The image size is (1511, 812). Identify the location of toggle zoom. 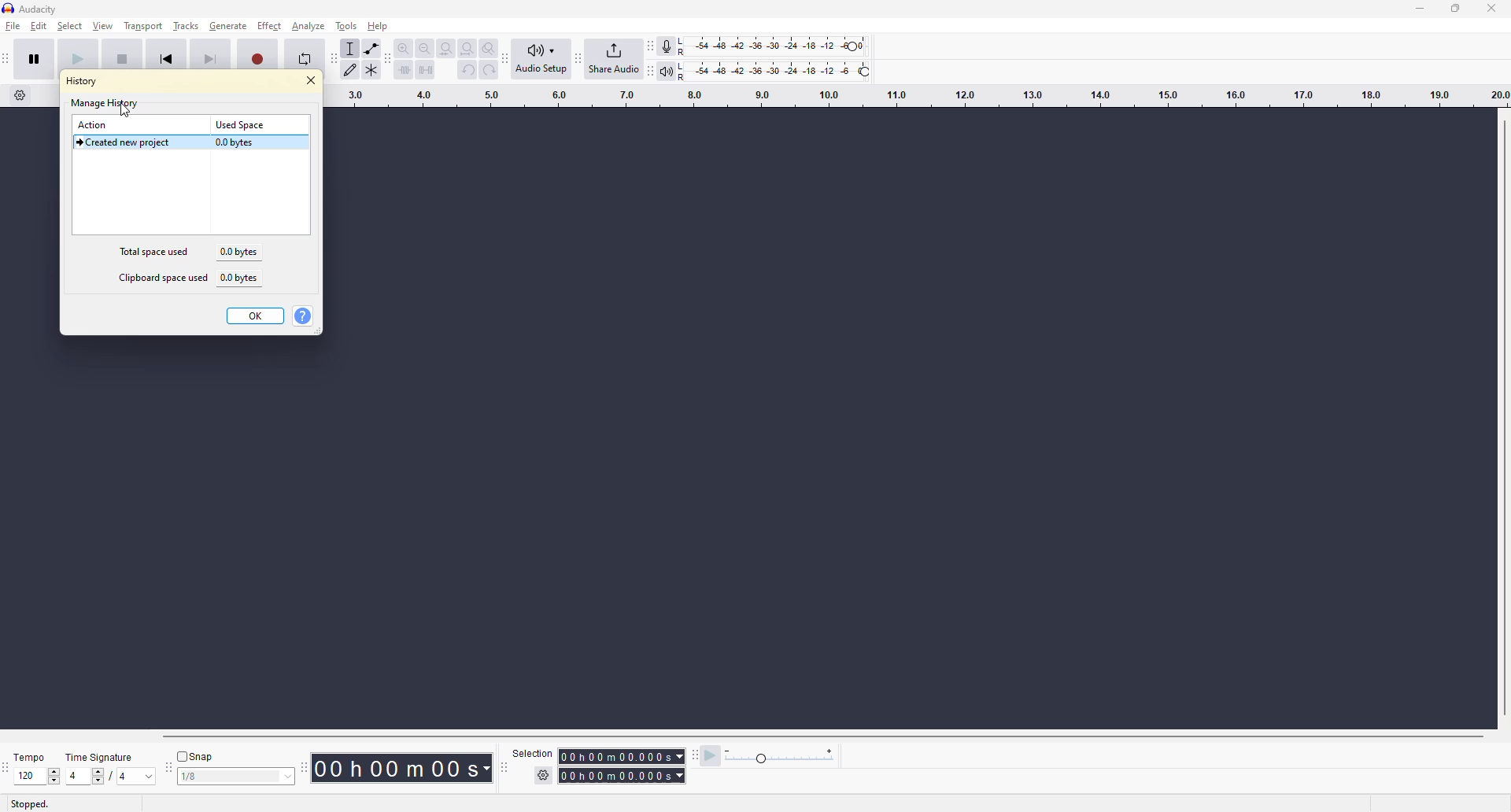
(488, 46).